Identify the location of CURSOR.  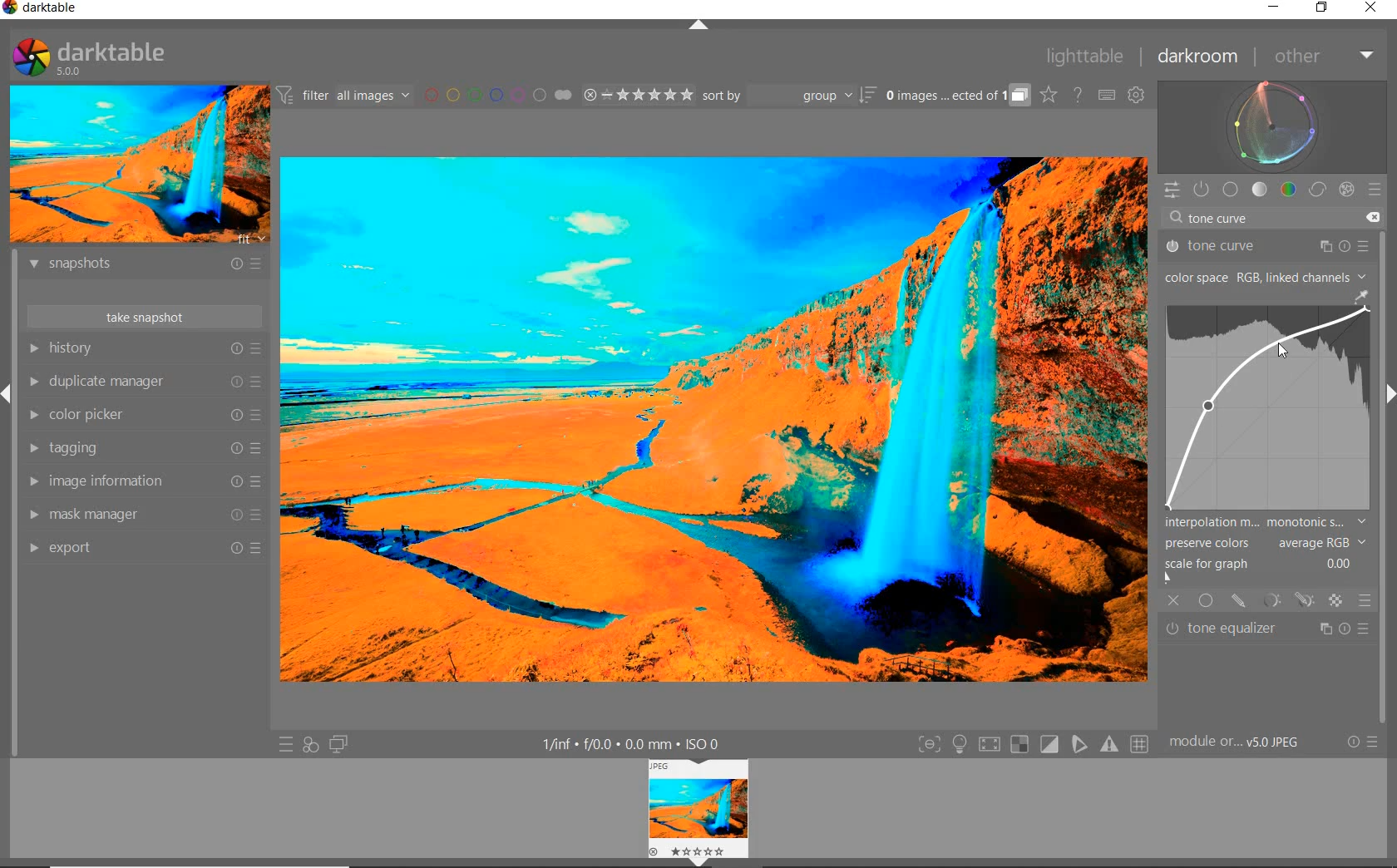
(1211, 407).